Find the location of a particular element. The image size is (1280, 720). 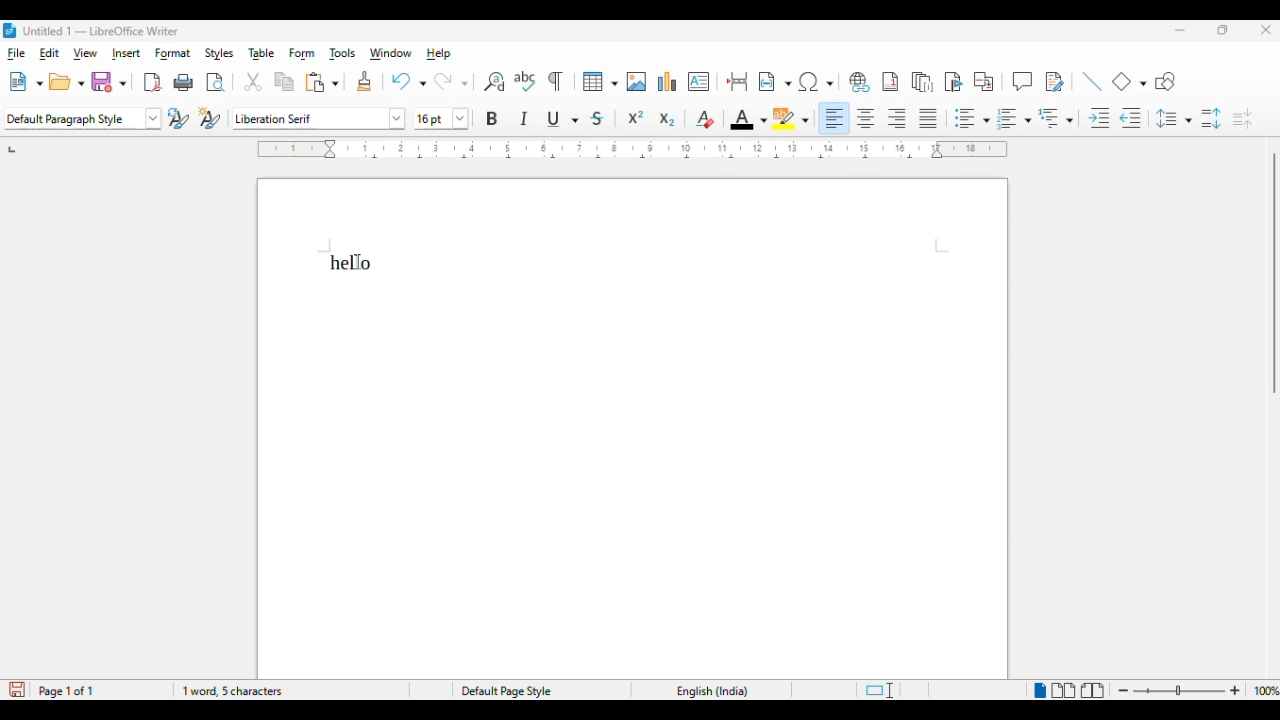

insert special characters is located at coordinates (817, 82).